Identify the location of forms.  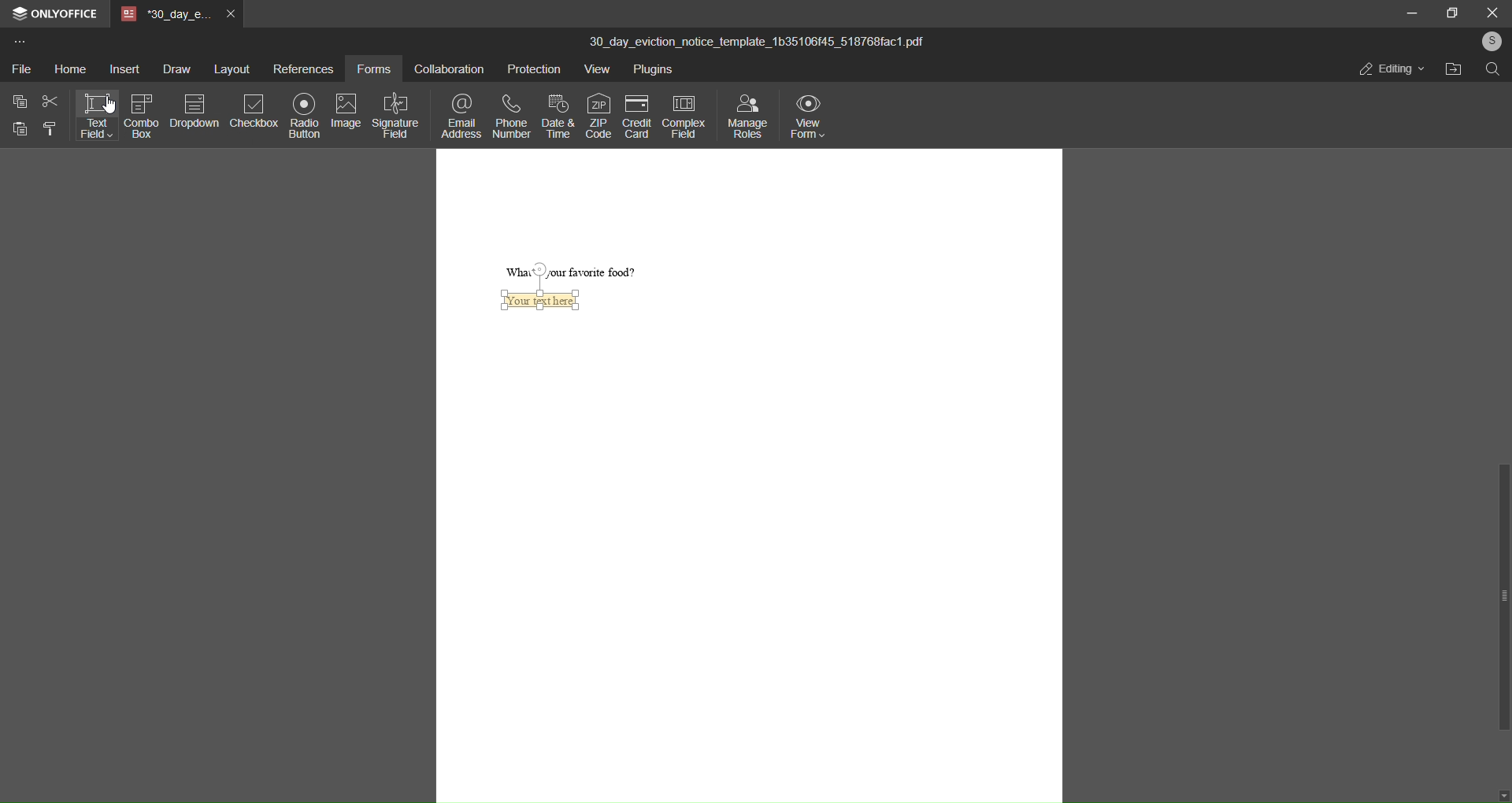
(372, 71).